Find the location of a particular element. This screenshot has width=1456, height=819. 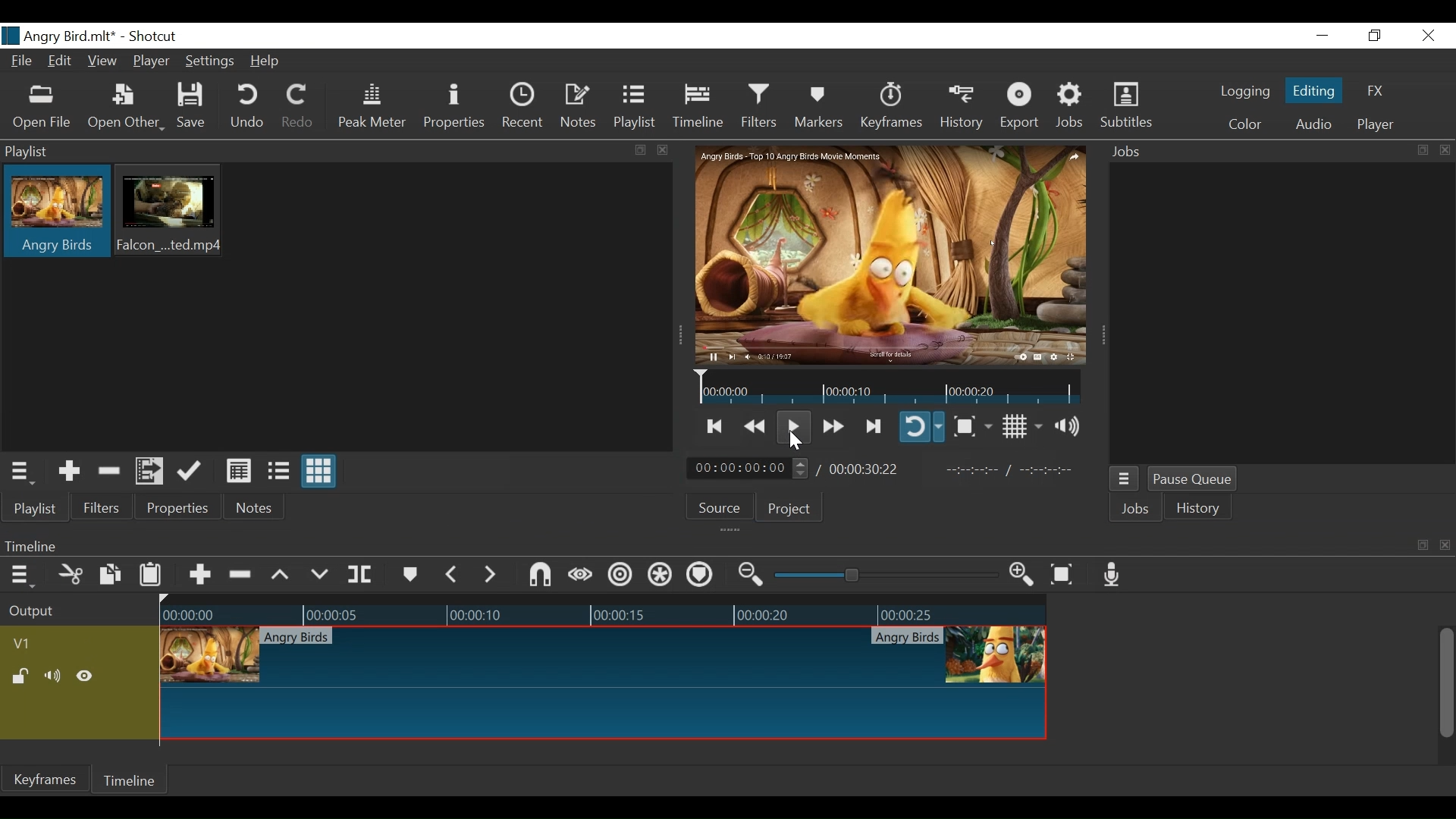

Peak Meter is located at coordinates (372, 108).